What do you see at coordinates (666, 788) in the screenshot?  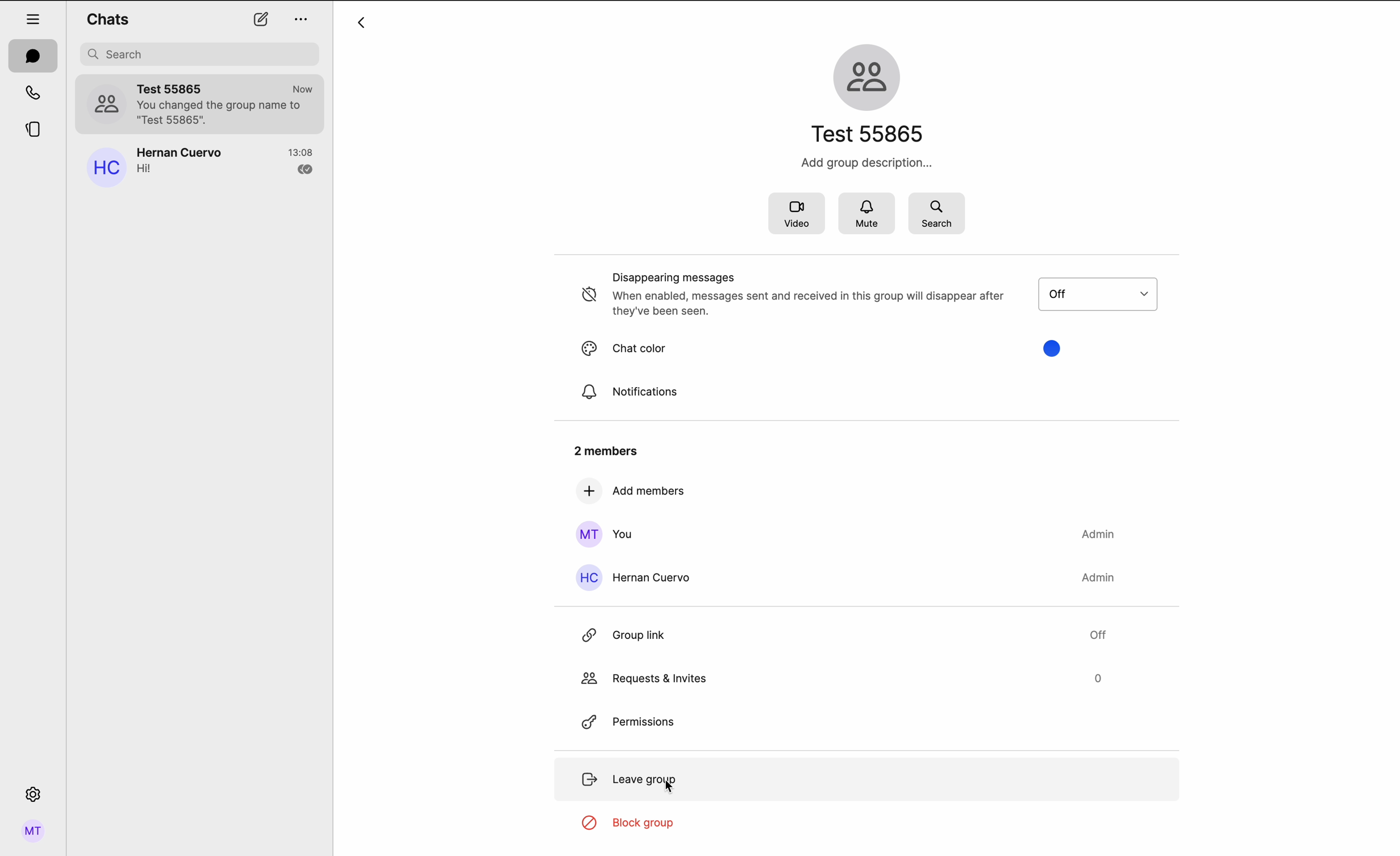 I see `curser` at bounding box center [666, 788].